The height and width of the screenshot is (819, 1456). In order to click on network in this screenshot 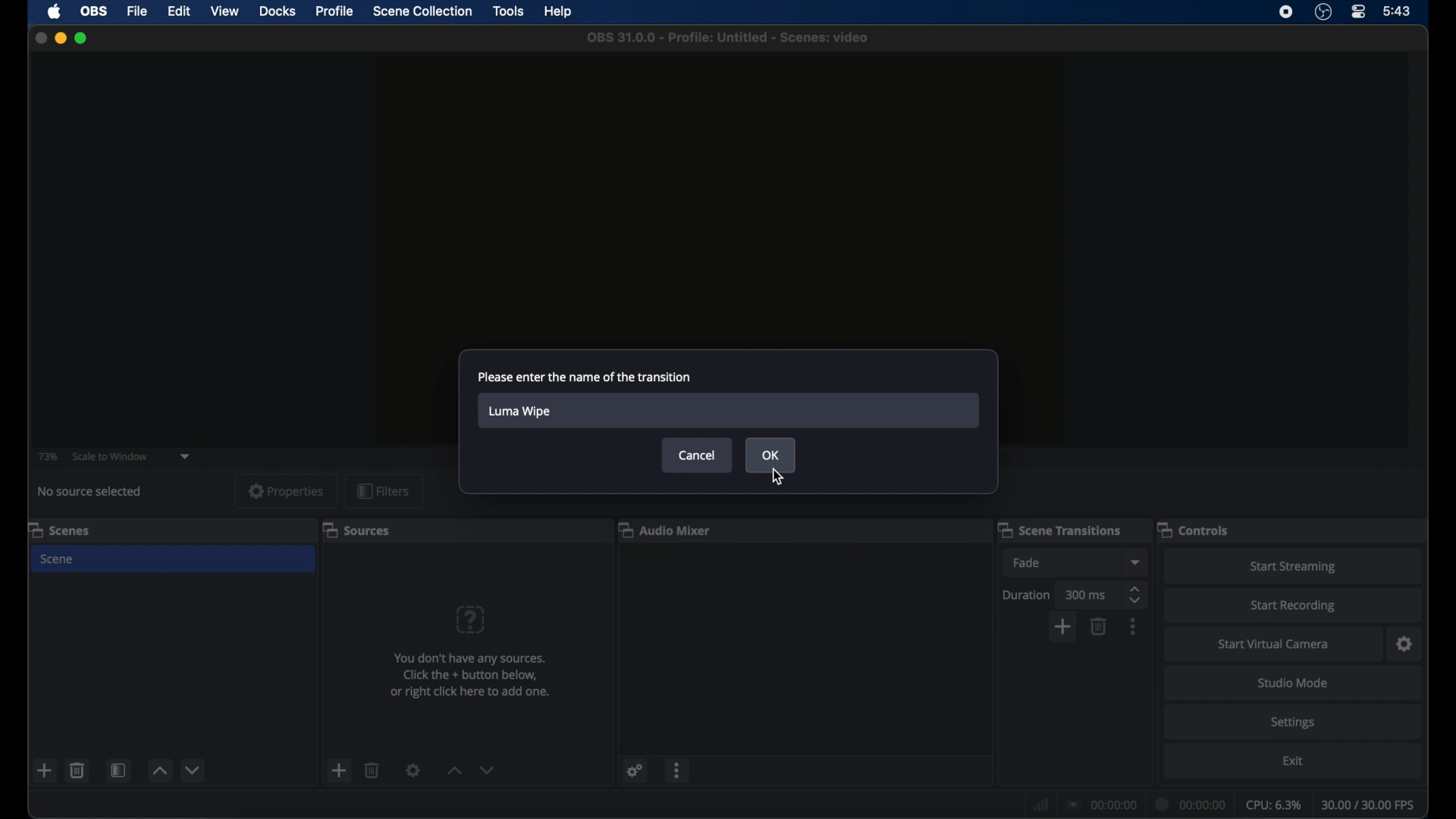, I will do `click(1041, 805)`.